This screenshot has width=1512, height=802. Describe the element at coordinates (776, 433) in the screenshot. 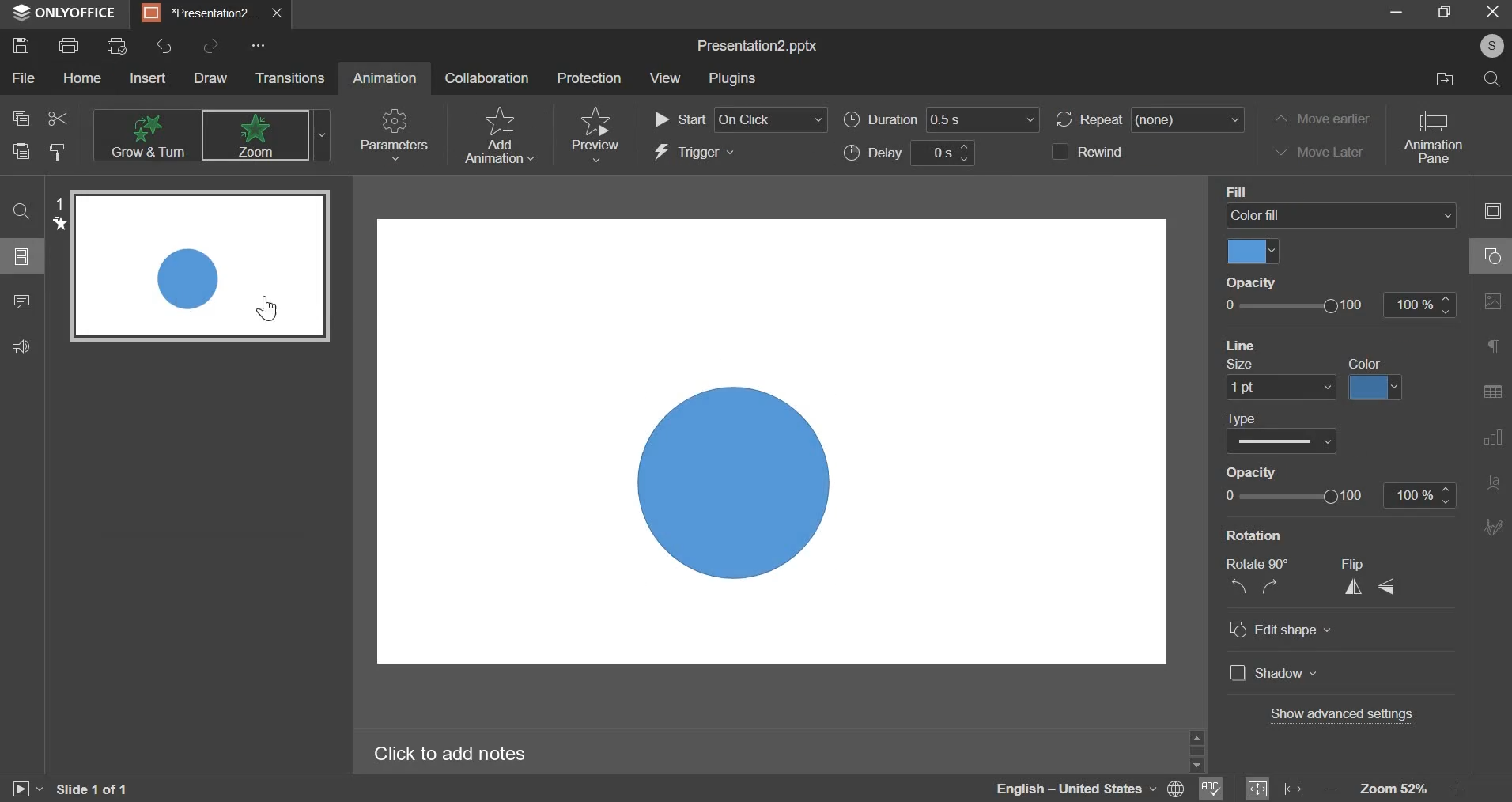

I see `slide area` at that location.